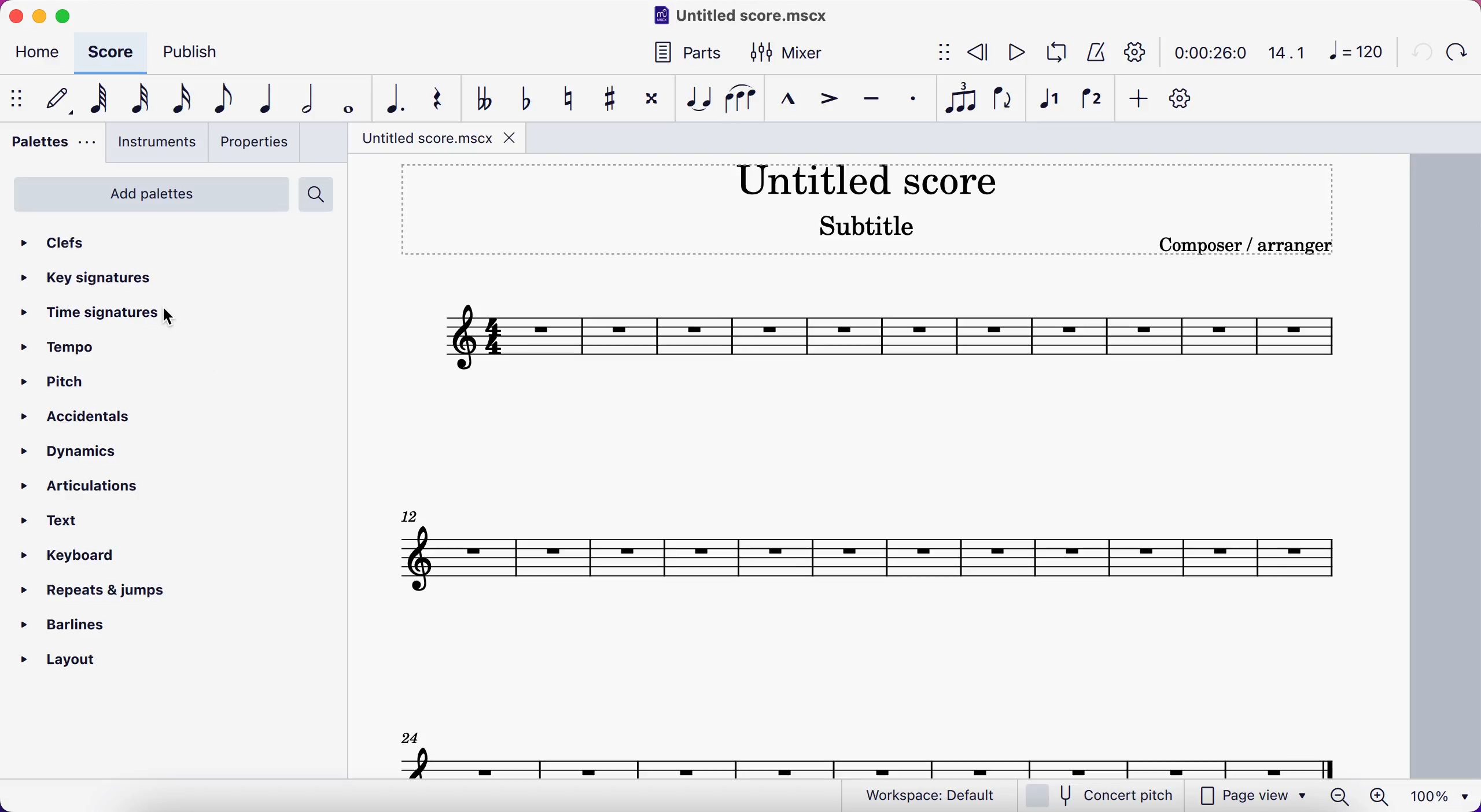  Describe the element at coordinates (480, 97) in the screenshot. I see `toggle double flat` at that location.